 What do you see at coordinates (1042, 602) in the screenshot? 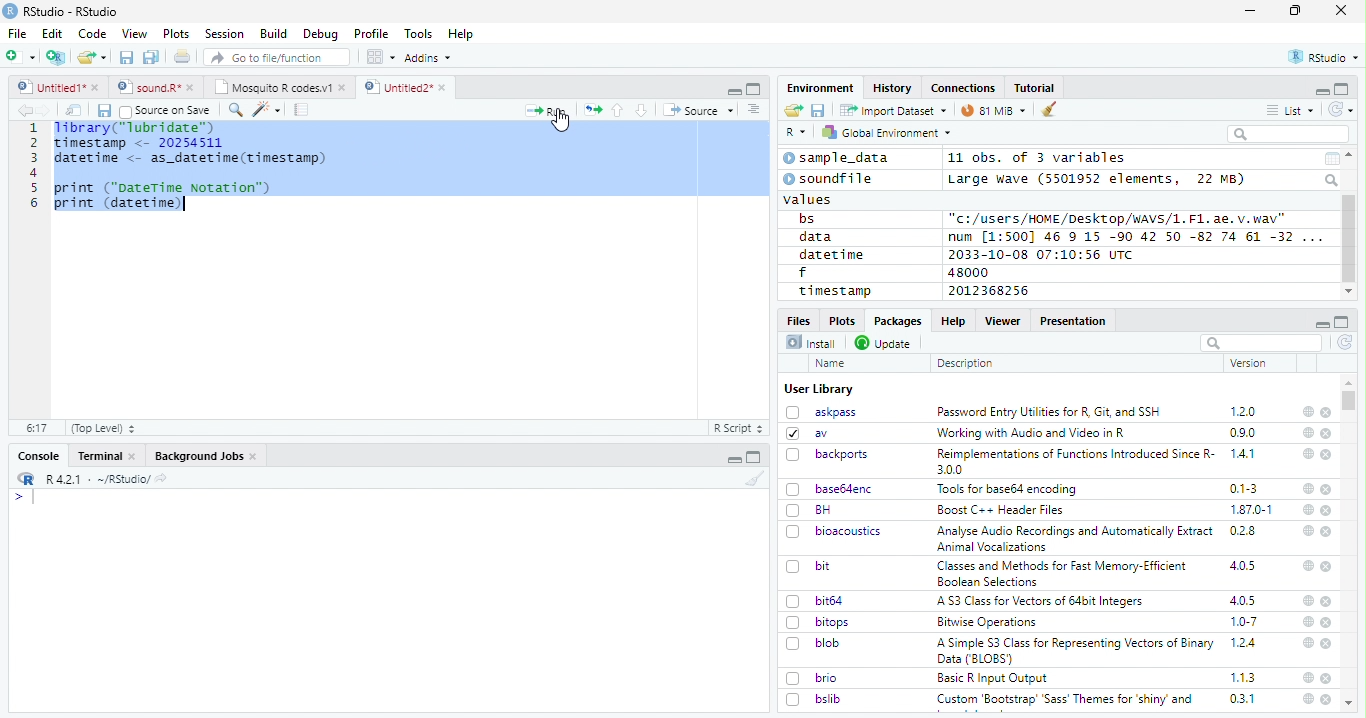
I see `A S3 Class for Vectors of 64bit Integers` at bounding box center [1042, 602].